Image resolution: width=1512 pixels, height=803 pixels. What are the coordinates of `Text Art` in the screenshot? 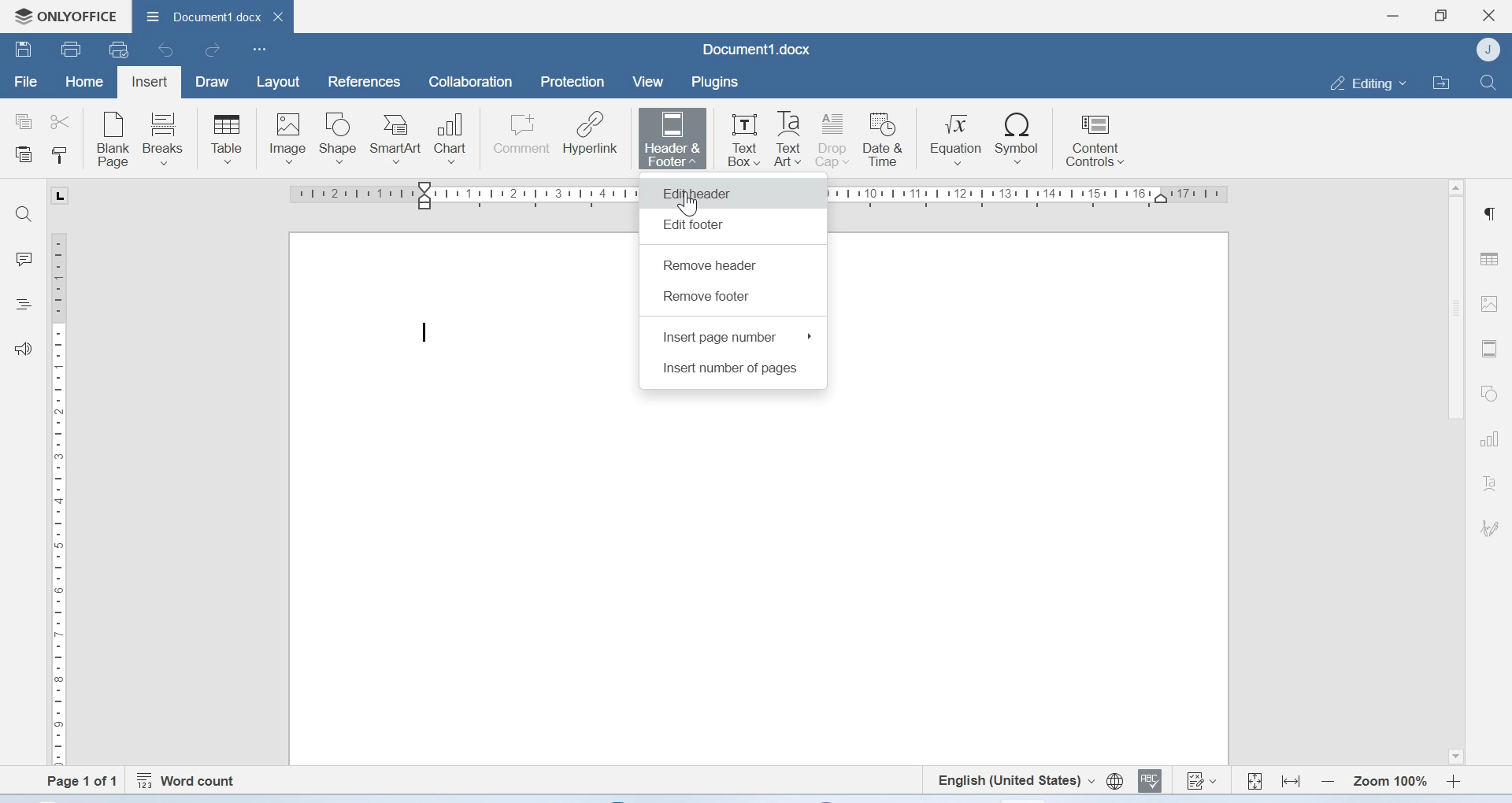 It's located at (788, 140).